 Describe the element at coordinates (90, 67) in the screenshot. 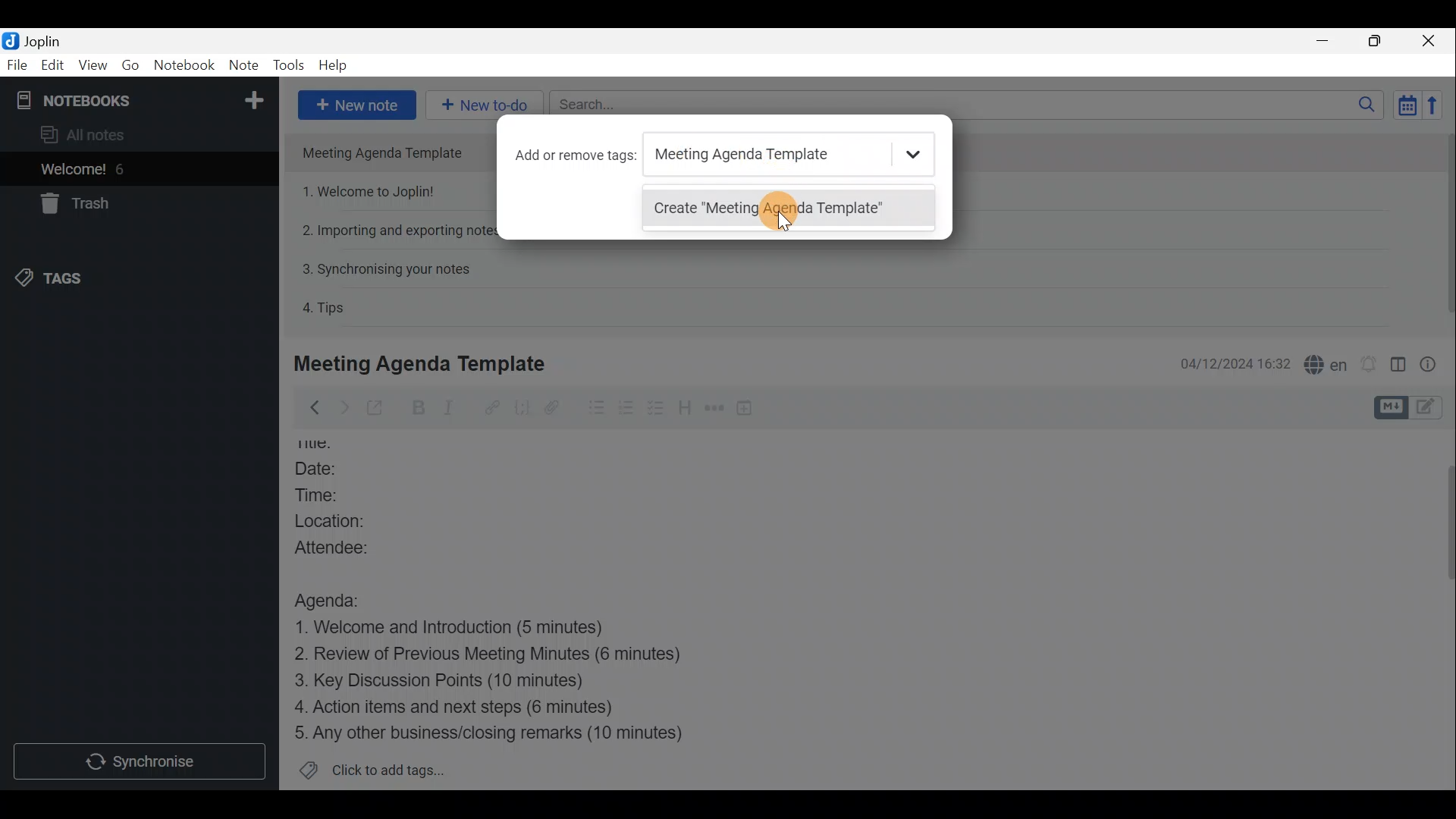

I see `View` at that location.